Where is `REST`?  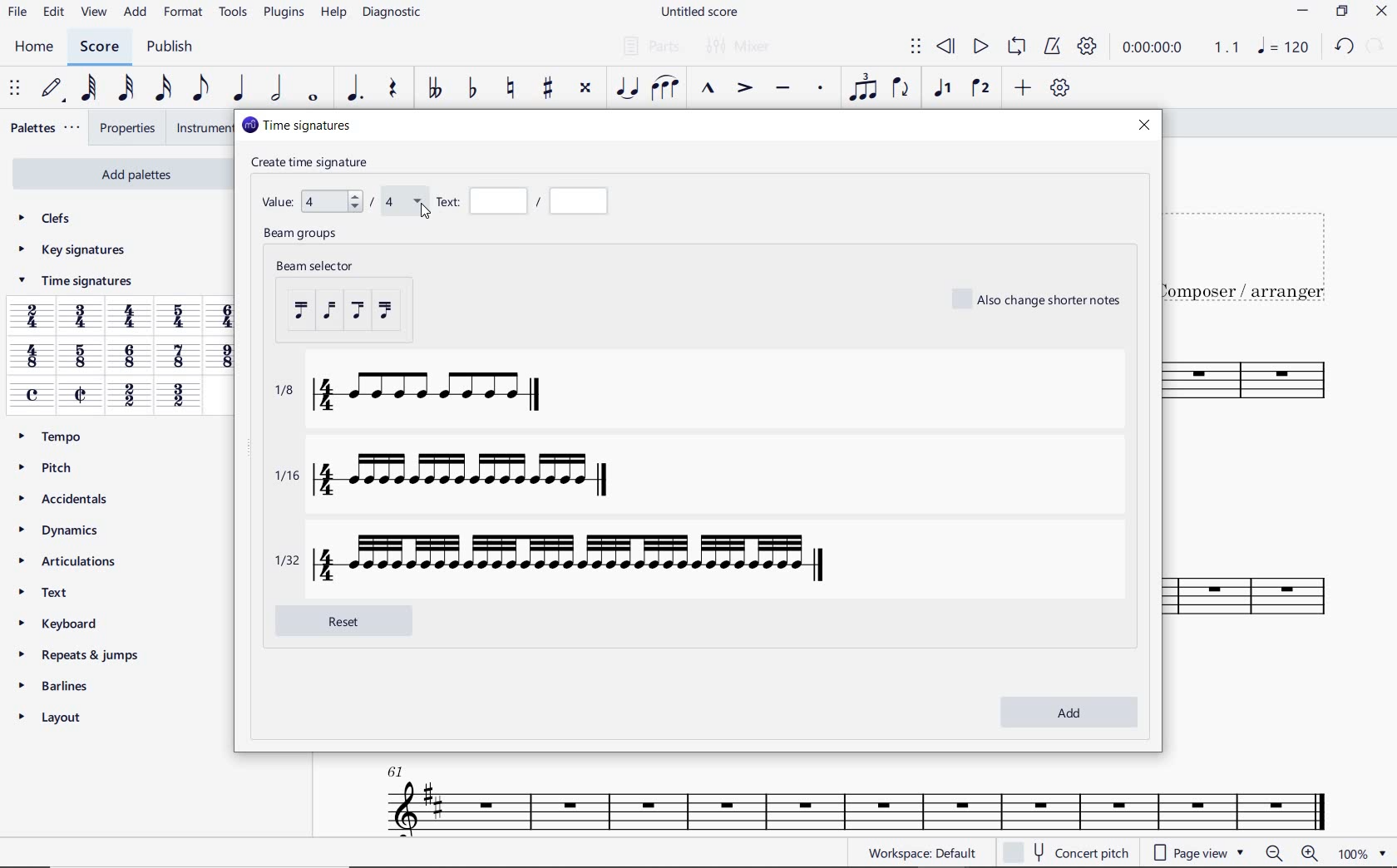 REST is located at coordinates (394, 89).